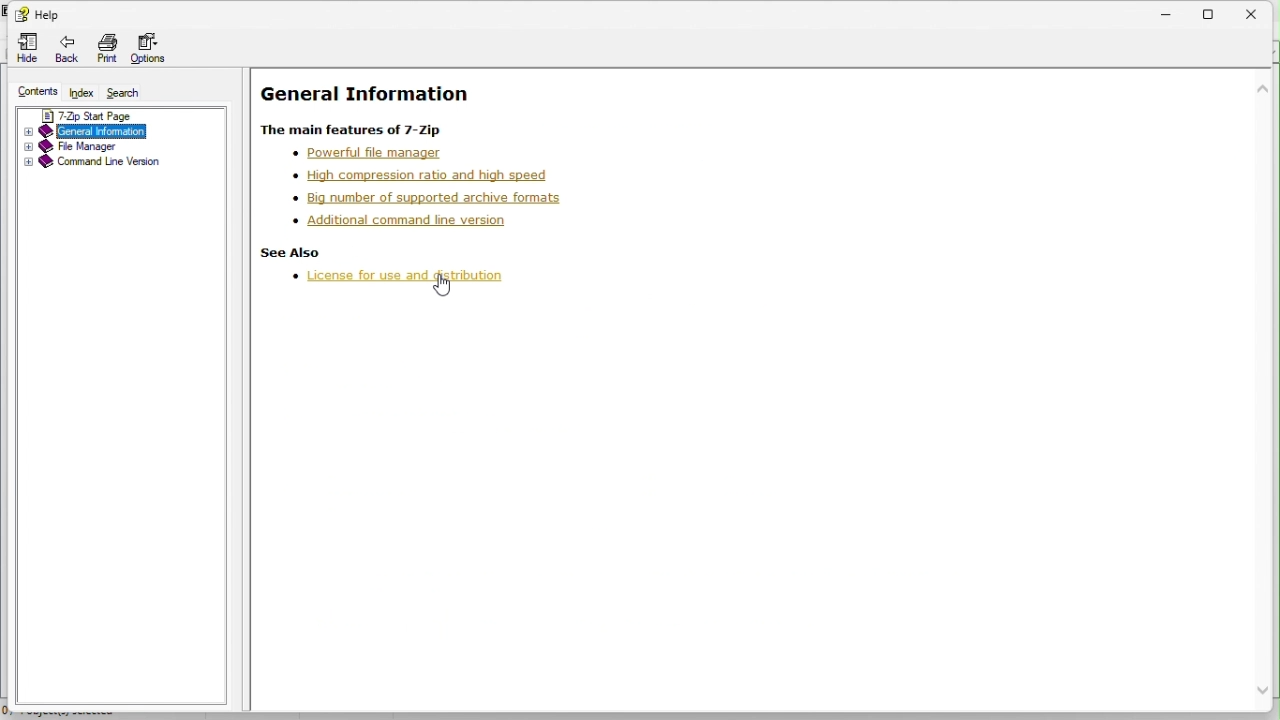 The height and width of the screenshot is (720, 1280). Describe the element at coordinates (122, 92) in the screenshot. I see `Search` at that location.